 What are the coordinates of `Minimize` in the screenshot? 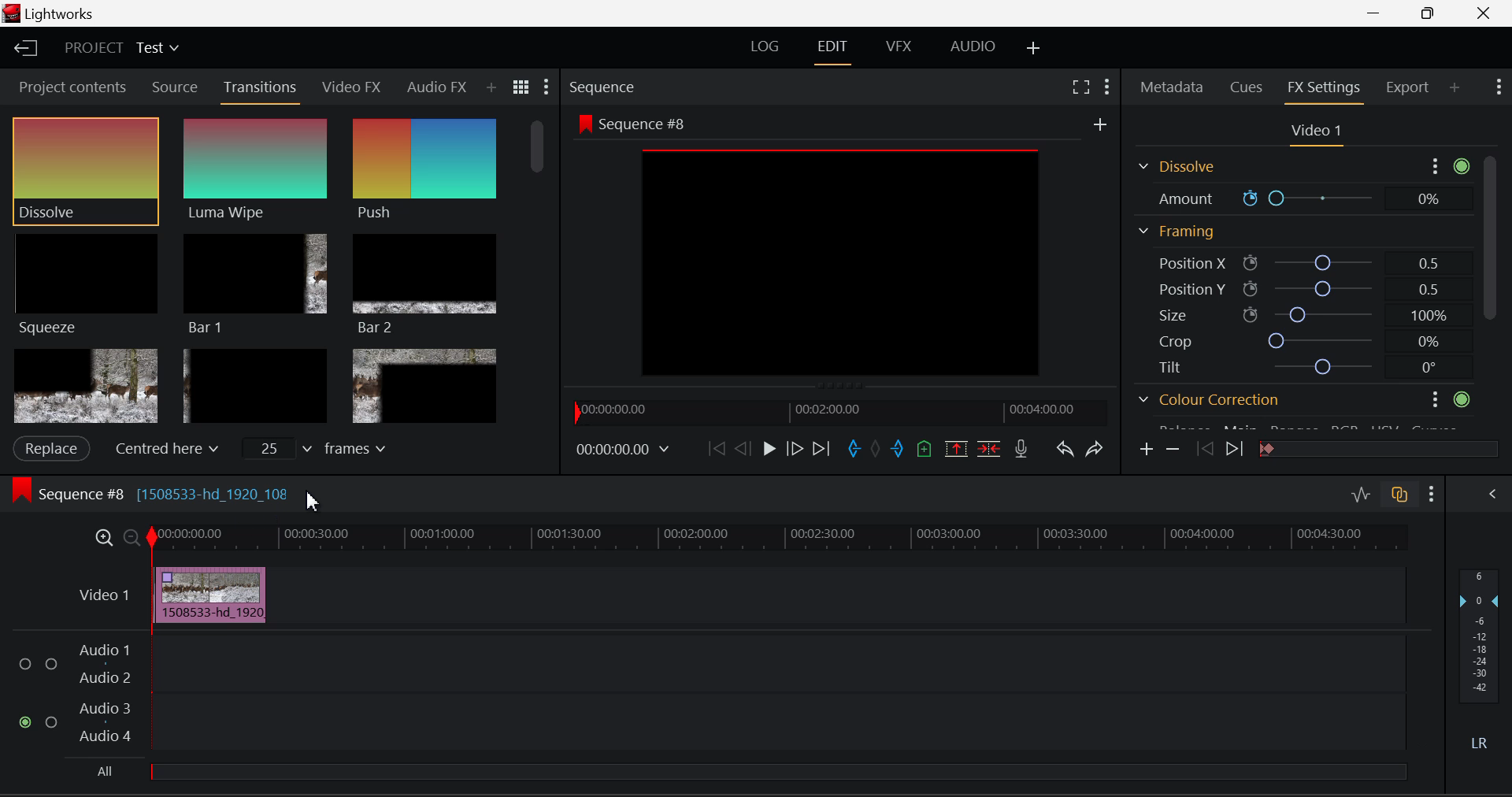 It's located at (1431, 13).